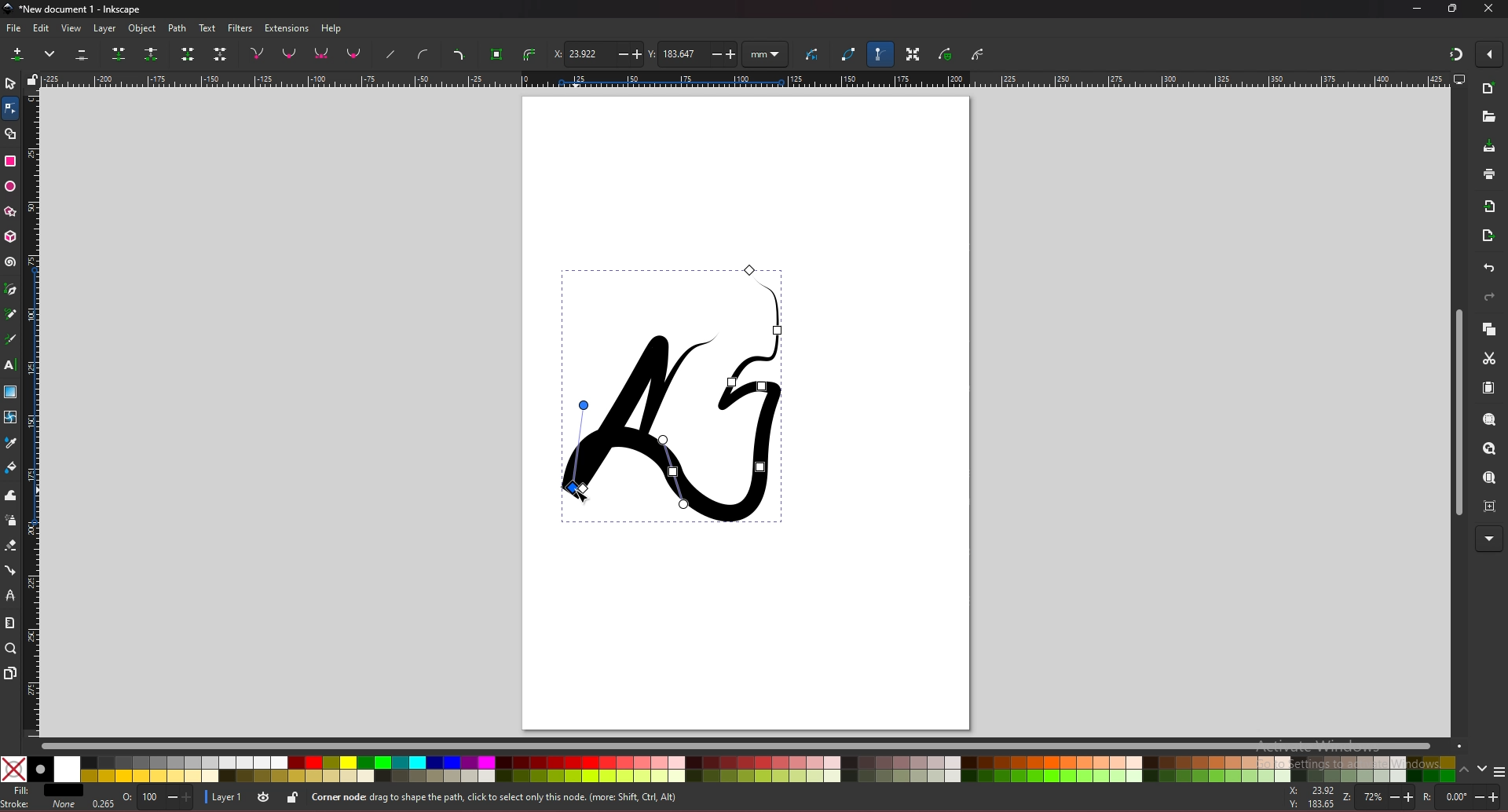 Image resolution: width=1508 pixels, height=812 pixels. What do you see at coordinates (390, 55) in the screenshot?
I see `straighten line` at bounding box center [390, 55].